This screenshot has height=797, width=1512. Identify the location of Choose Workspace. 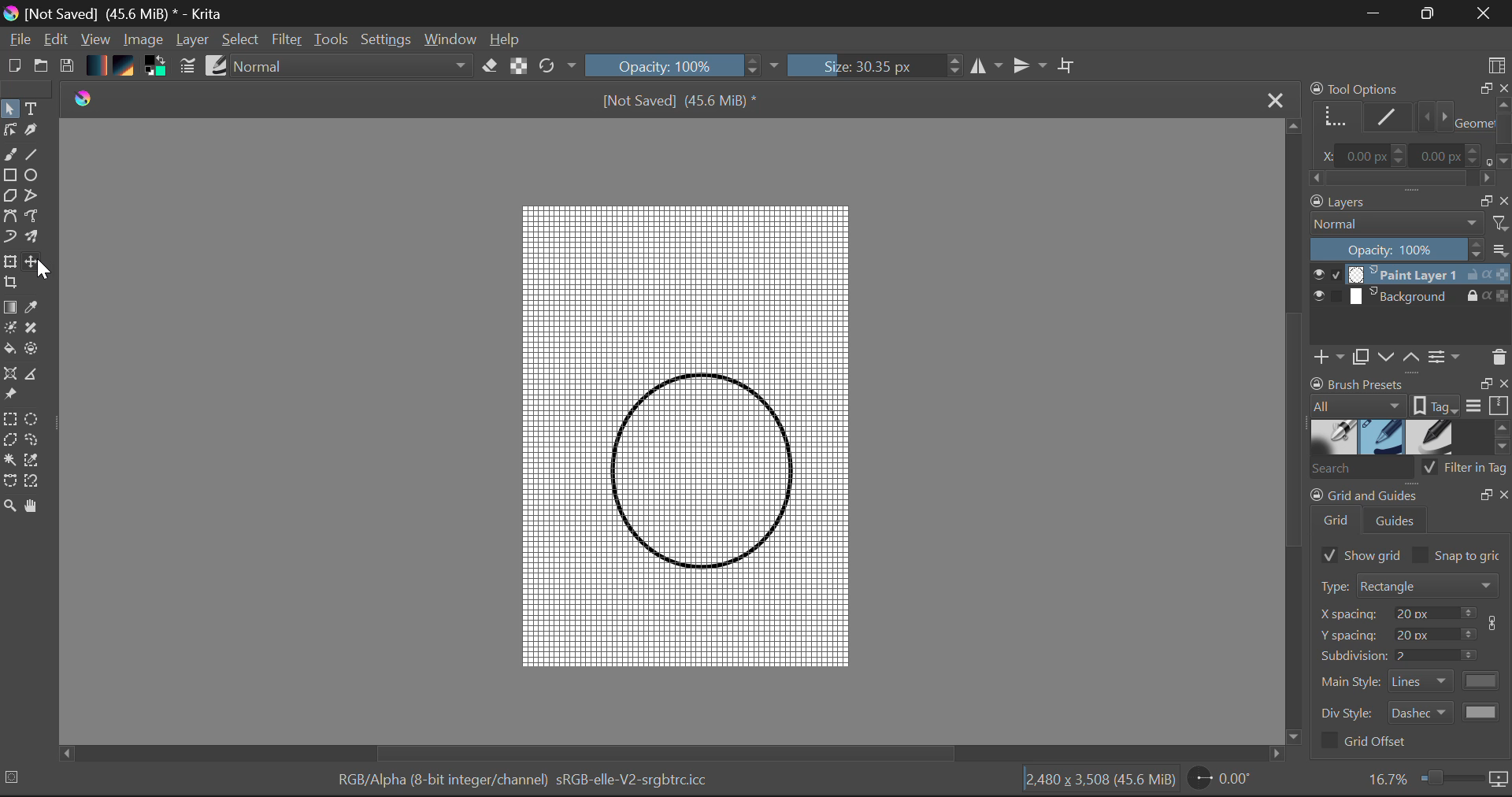
(1498, 64).